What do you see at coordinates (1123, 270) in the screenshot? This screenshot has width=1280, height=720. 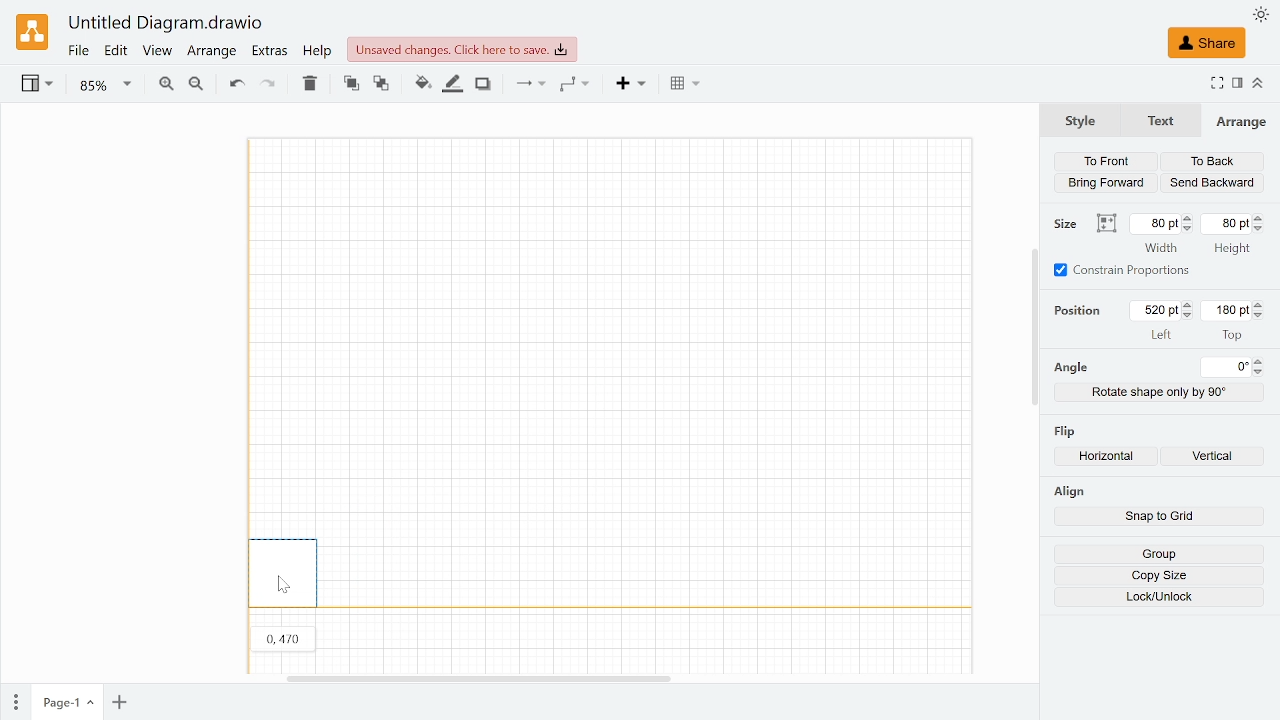 I see `Constrain proportions` at bounding box center [1123, 270].